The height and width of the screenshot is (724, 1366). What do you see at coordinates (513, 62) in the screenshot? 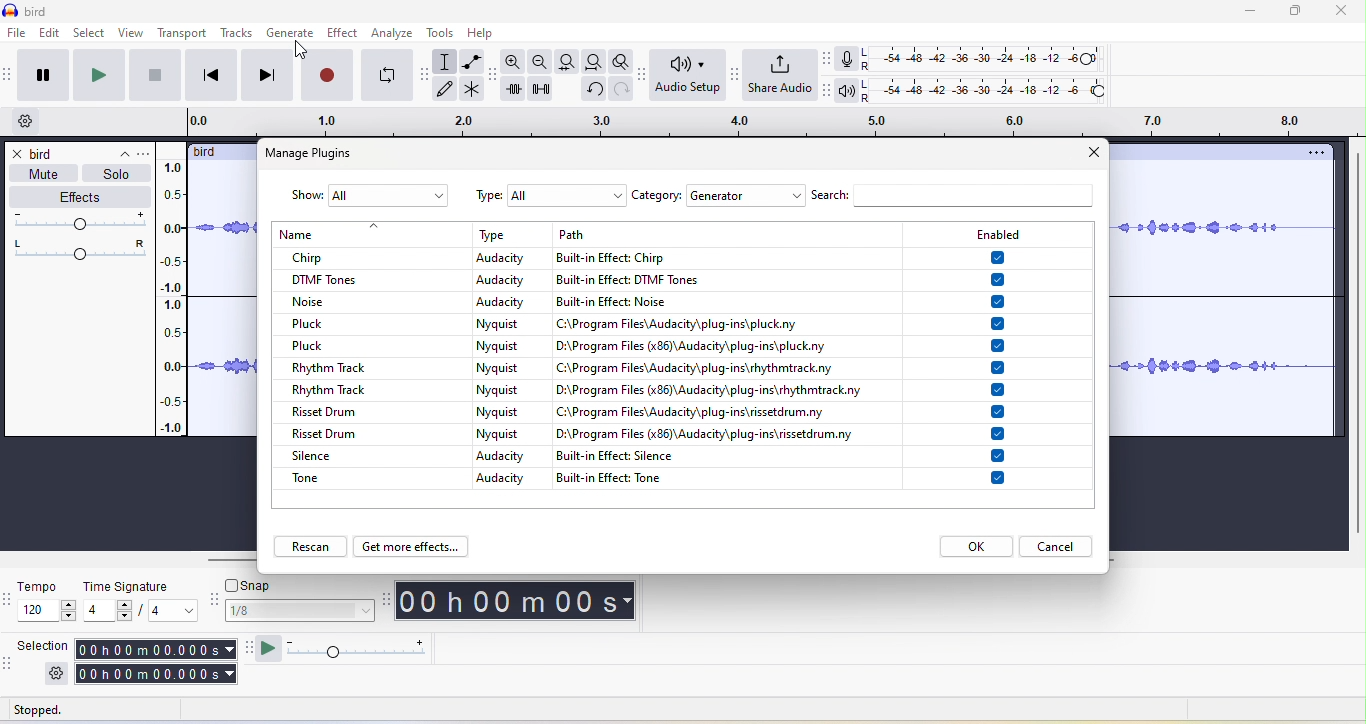
I see `zoom in` at bounding box center [513, 62].